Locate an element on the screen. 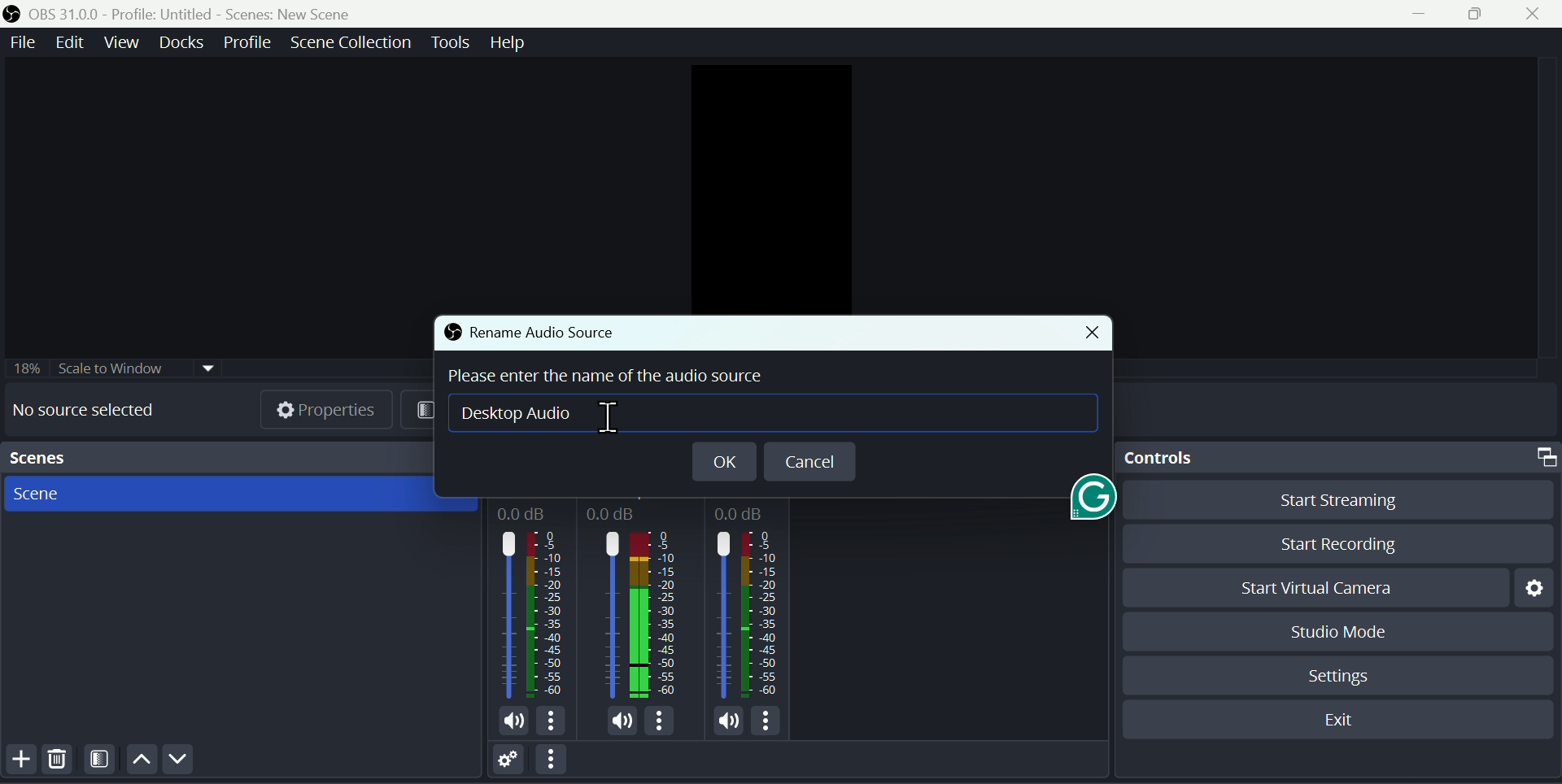 Image resolution: width=1562 pixels, height=784 pixels. Close is located at coordinates (1537, 15).